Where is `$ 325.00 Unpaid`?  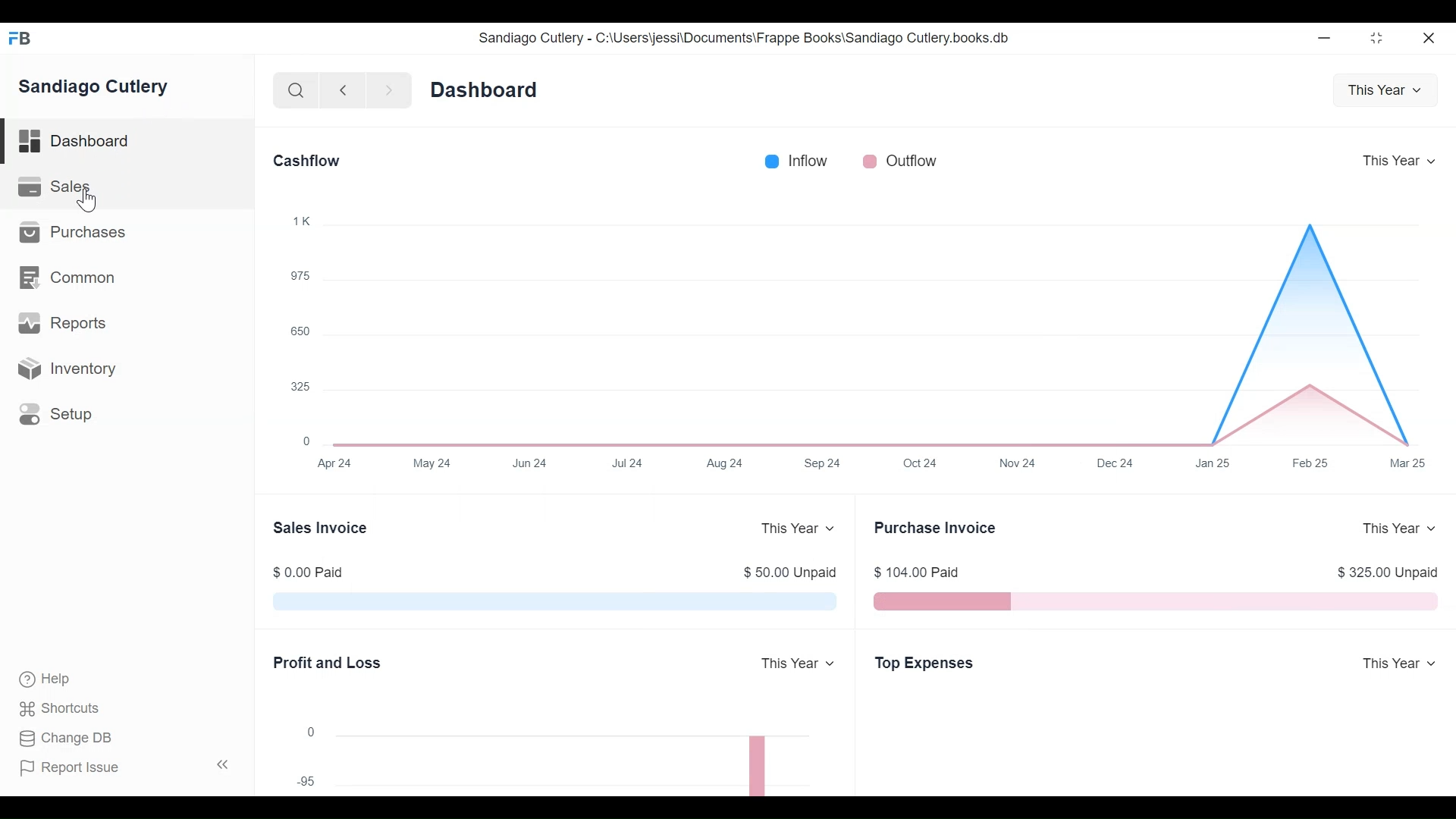 $ 325.00 Unpaid is located at coordinates (1389, 575).